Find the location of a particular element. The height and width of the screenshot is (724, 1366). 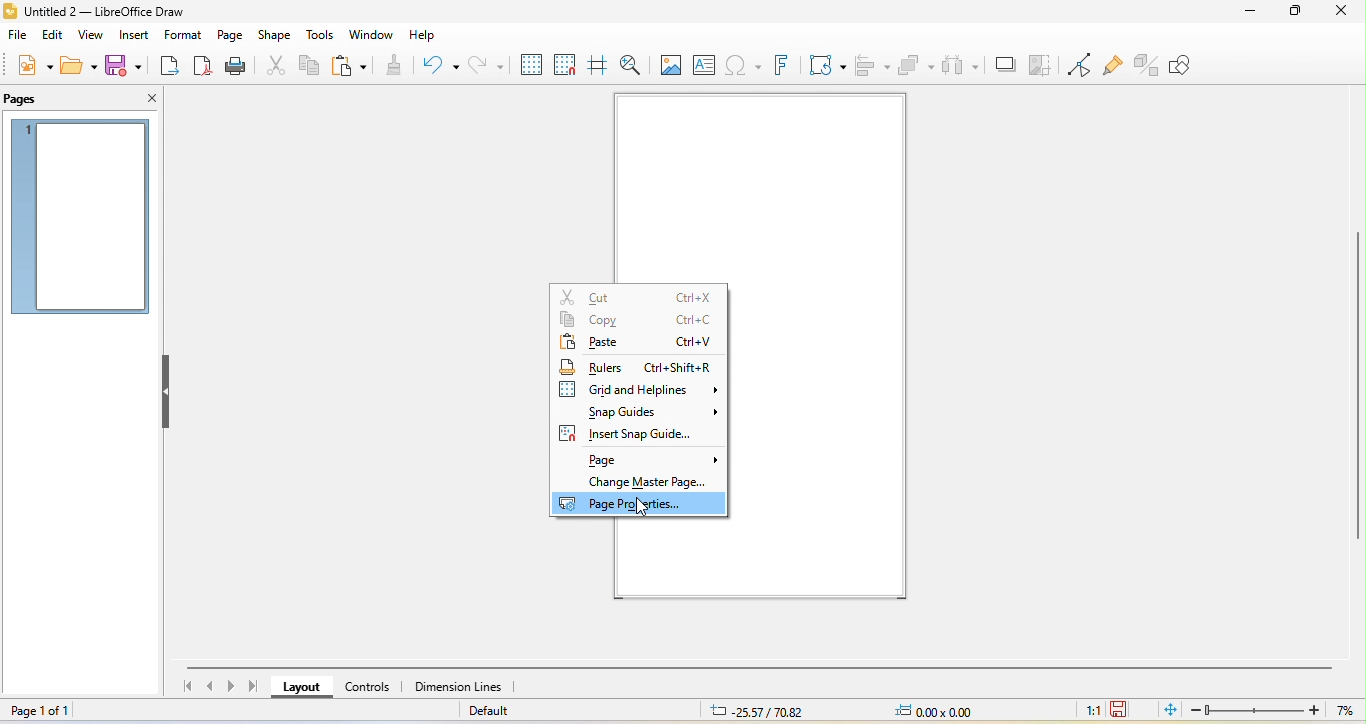

special character is located at coordinates (742, 66).